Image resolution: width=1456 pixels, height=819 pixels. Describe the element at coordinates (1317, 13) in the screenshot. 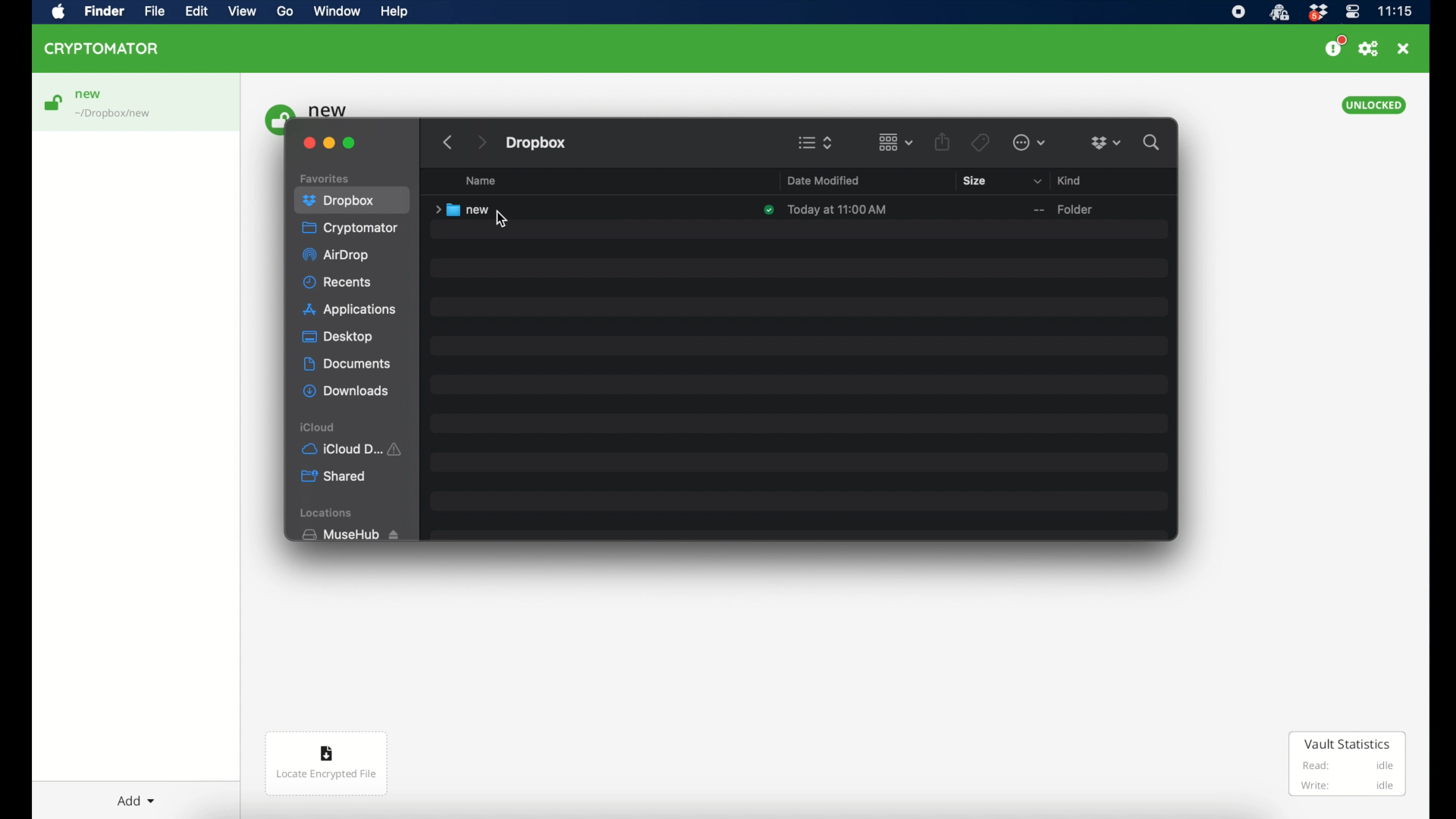

I see `dropbox` at that location.